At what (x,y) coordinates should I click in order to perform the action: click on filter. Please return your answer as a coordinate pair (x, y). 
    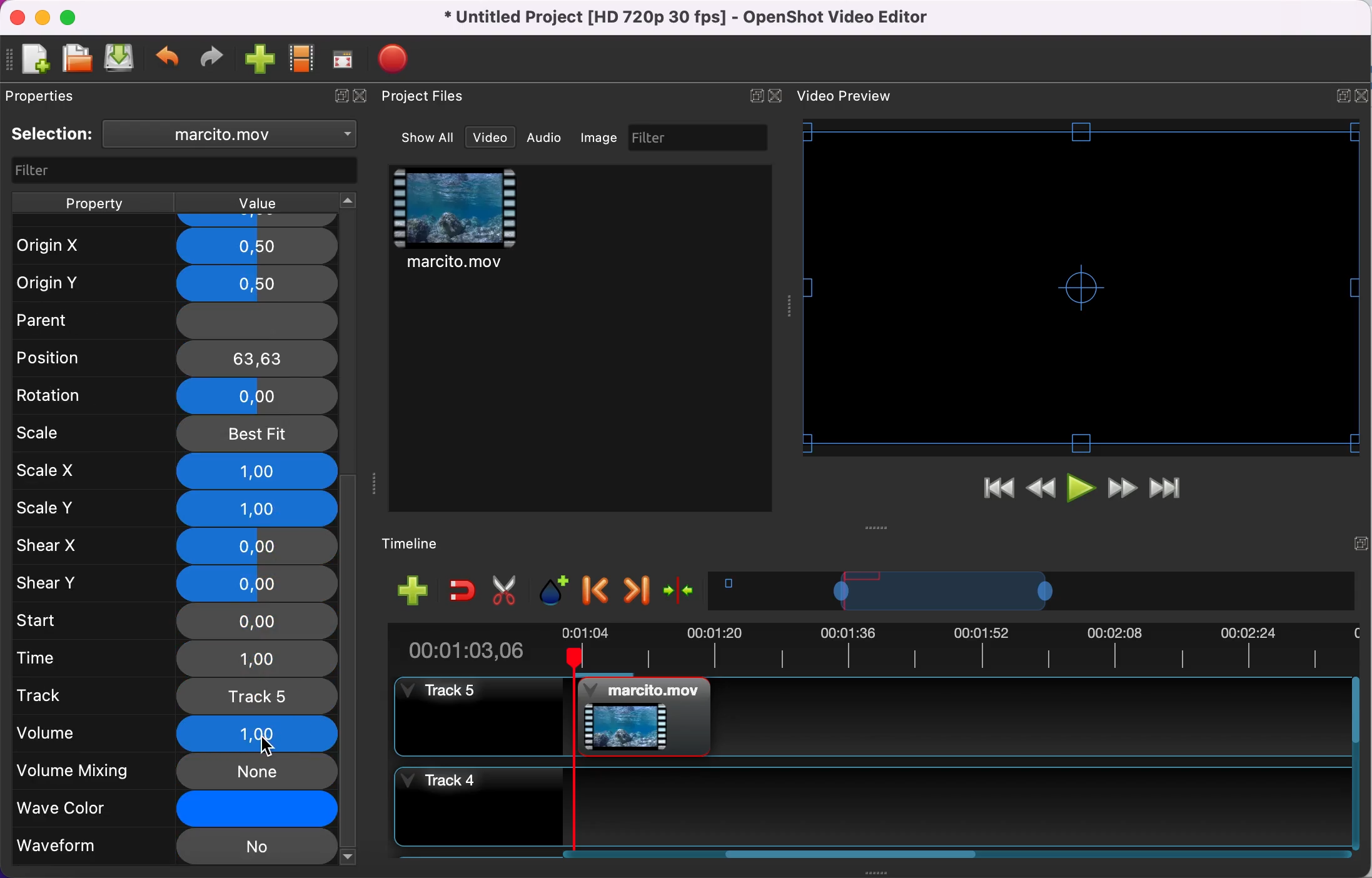
    Looking at the image, I should click on (186, 171).